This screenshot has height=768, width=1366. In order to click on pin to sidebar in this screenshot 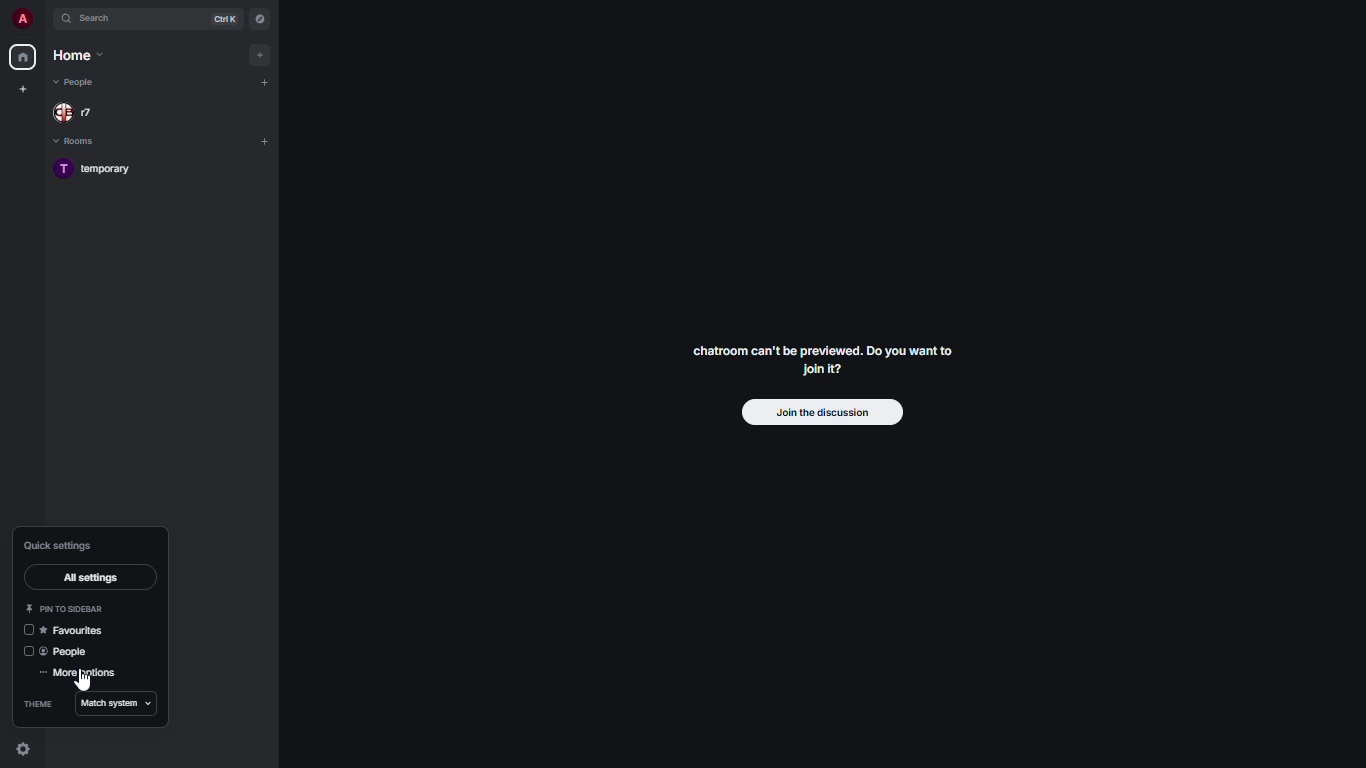, I will do `click(69, 606)`.